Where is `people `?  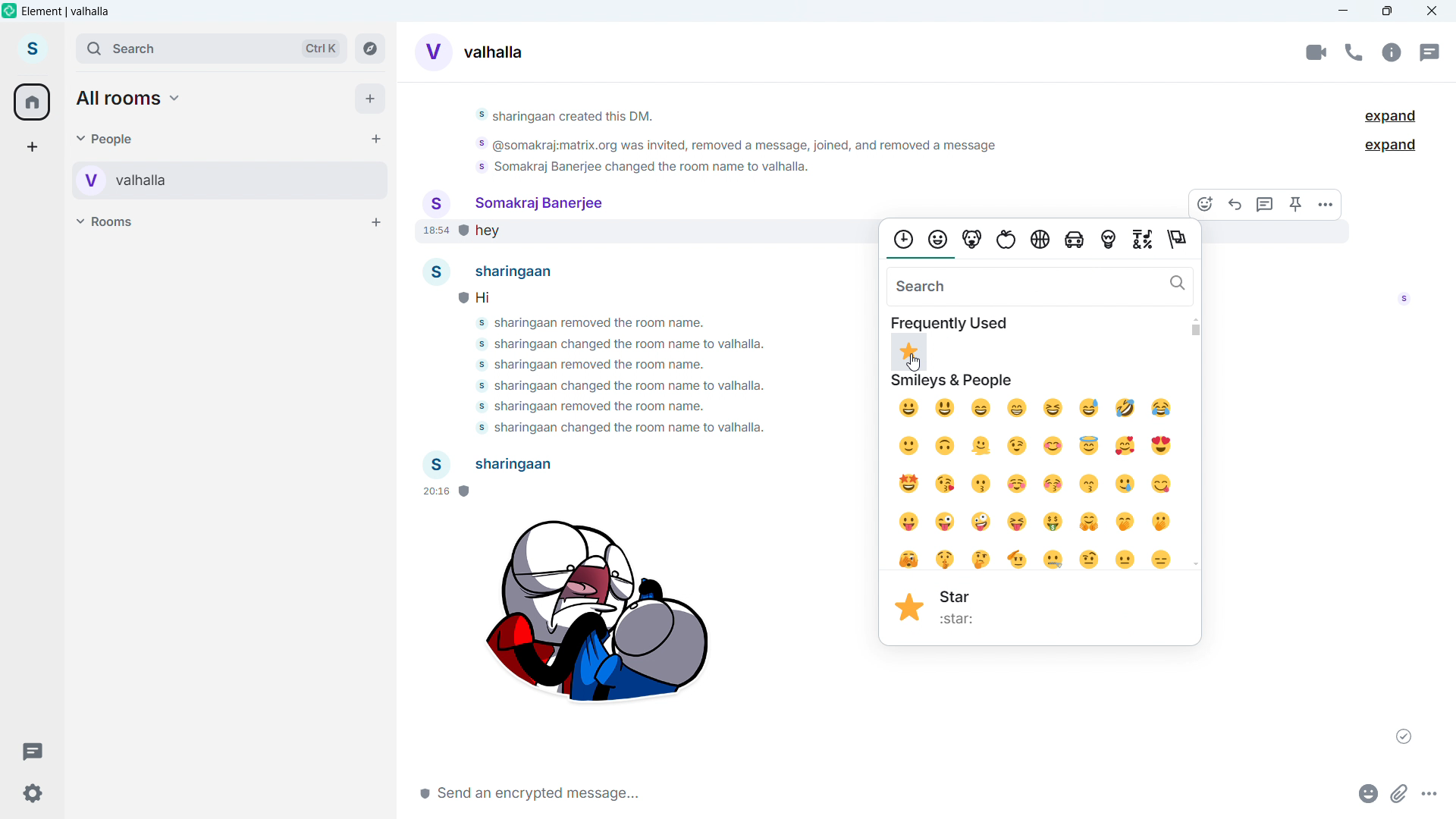 people  is located at coordinates (106, 138).